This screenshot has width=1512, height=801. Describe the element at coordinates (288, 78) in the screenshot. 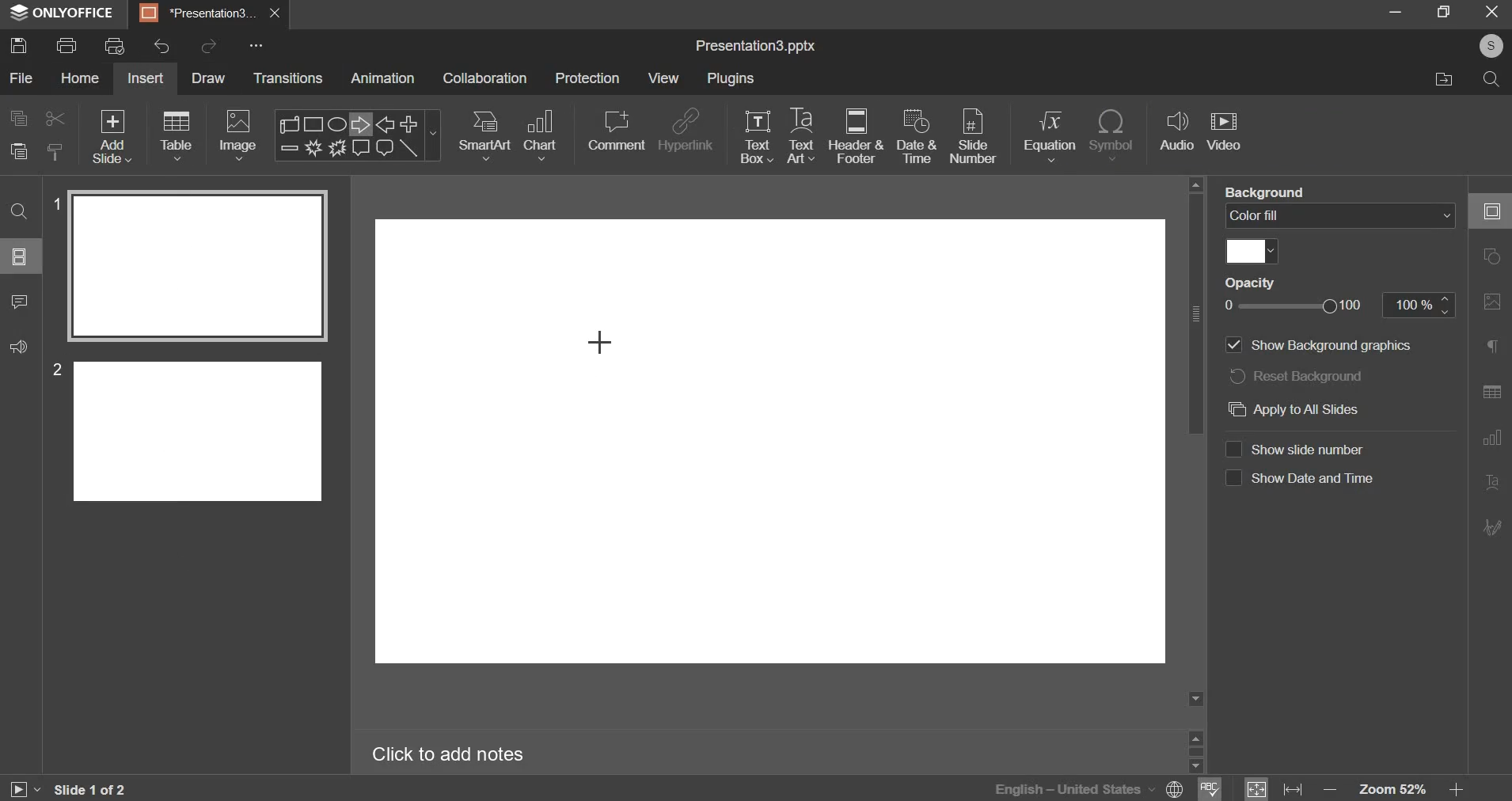

I see `transitions` at that location.